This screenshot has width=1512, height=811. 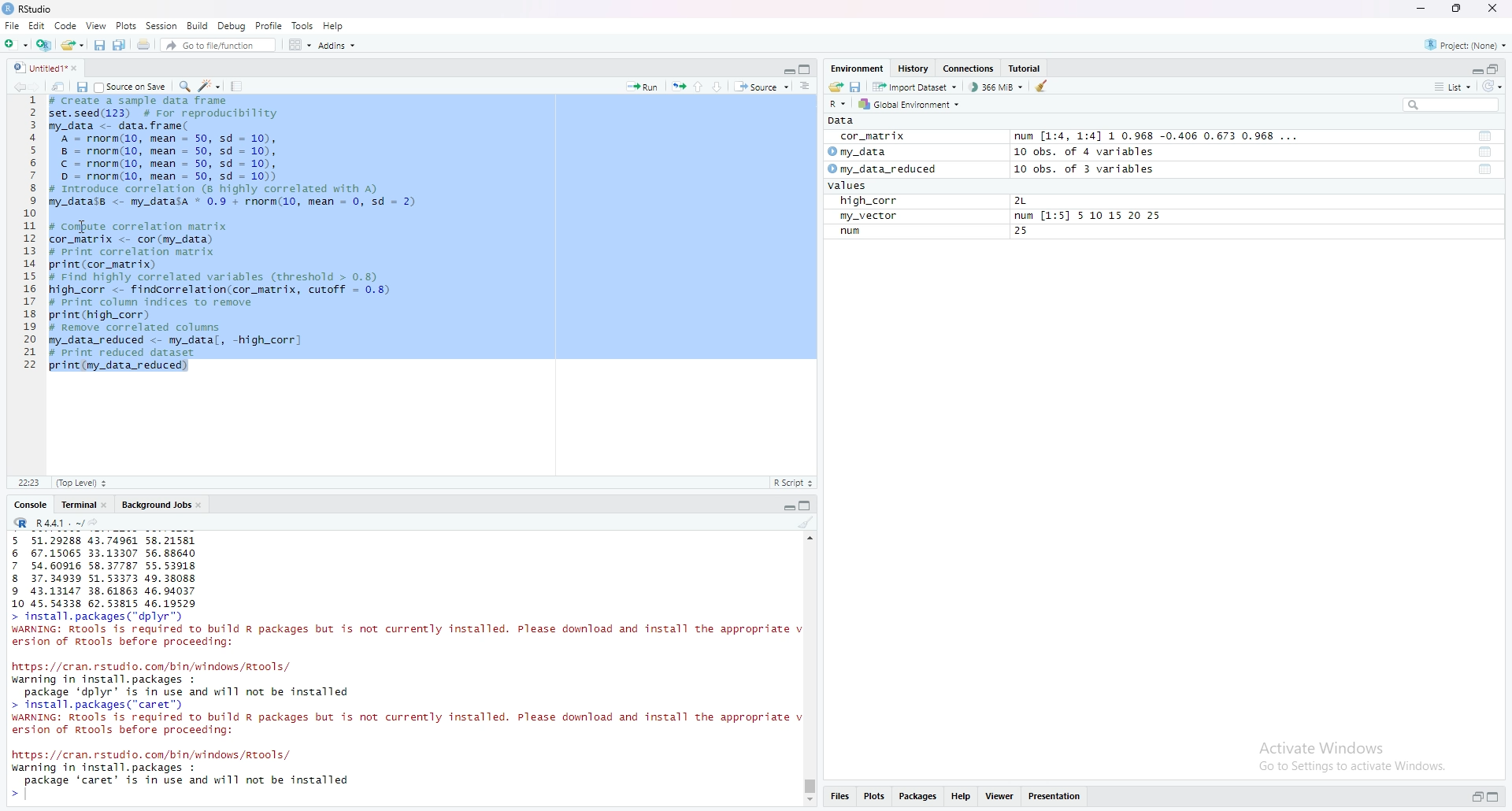 What do you see at coordinates (1043, 86) in the screenshot?
I see `clean` at bounding box center [1043, 86].